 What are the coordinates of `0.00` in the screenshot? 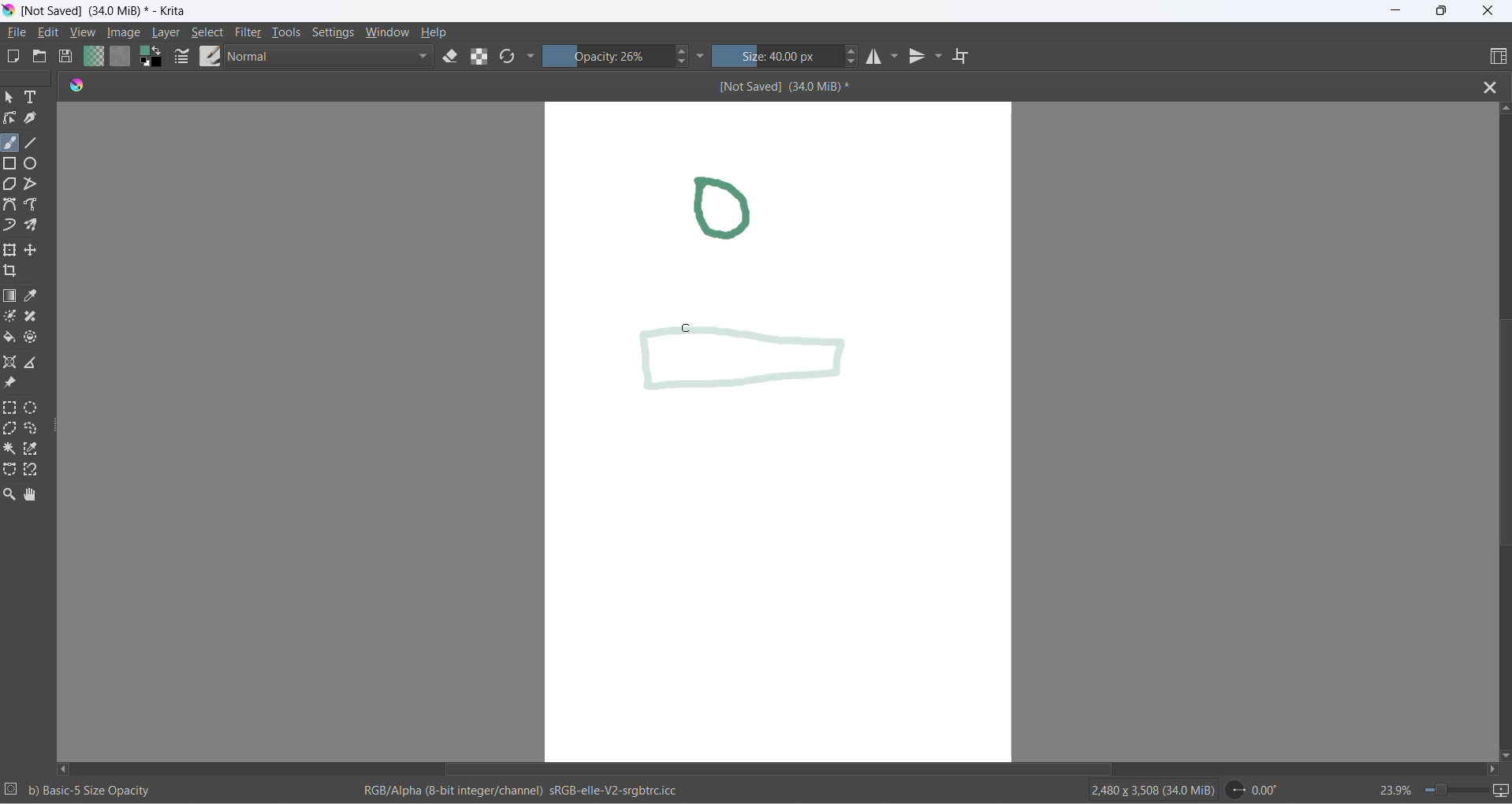 It's located at (1254, 790).